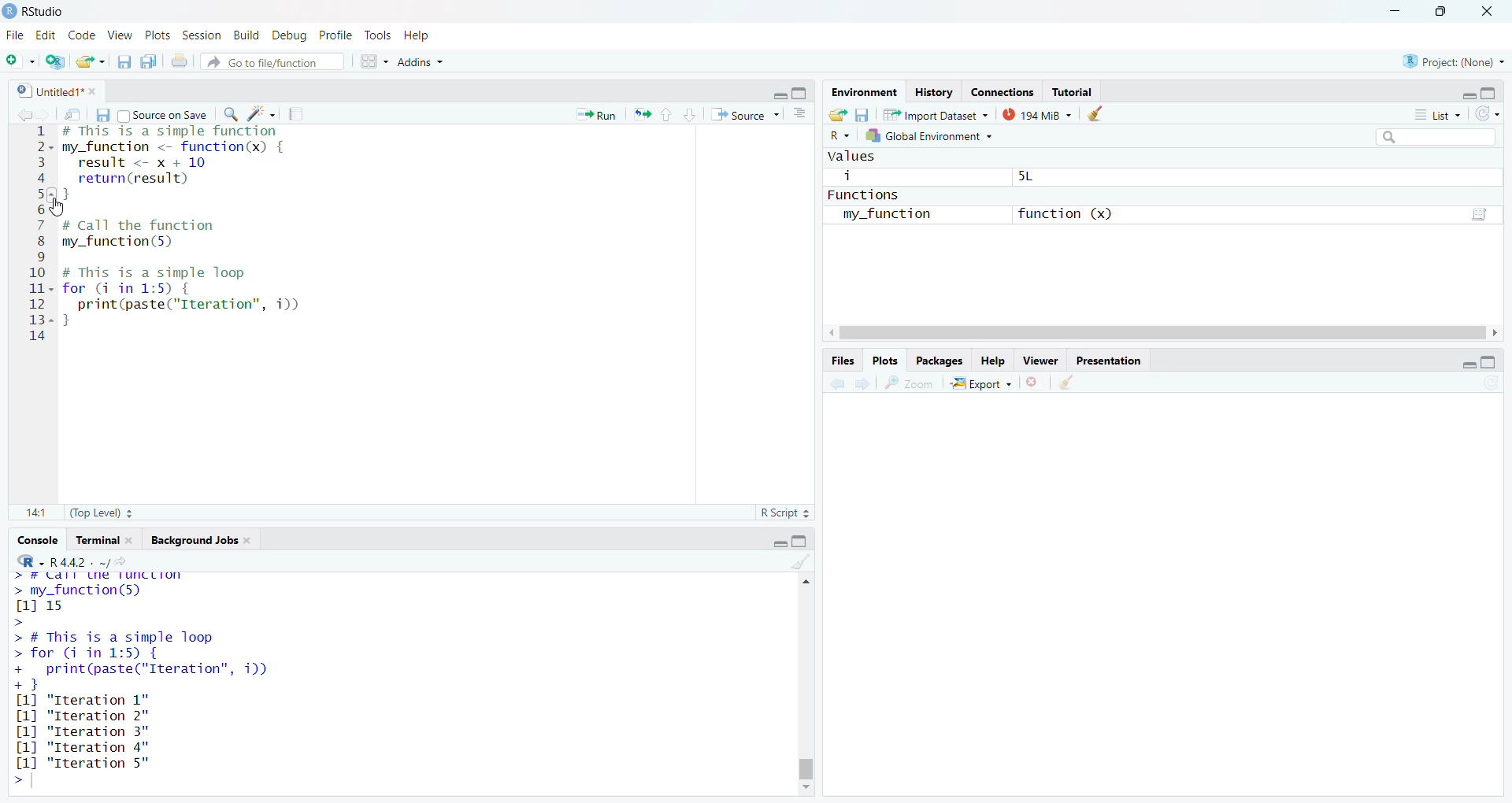 Image resolution: width=1512 pixels, height=803 pixels. Describe the element at coordinates (46, 113) in the screenshot. I see `go forward to next source location` at that location.